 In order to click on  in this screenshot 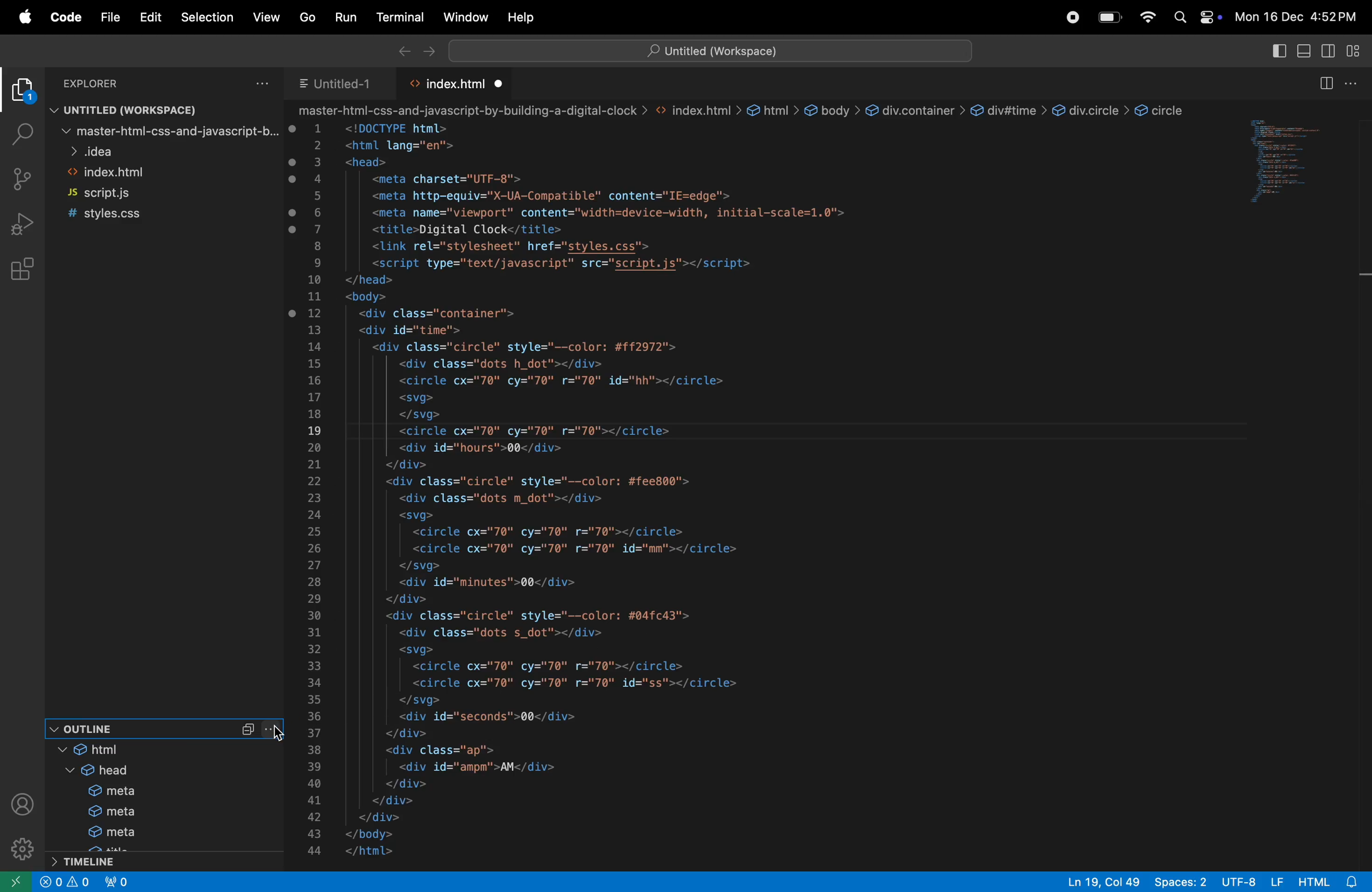, I will do `click(67, 881)`.